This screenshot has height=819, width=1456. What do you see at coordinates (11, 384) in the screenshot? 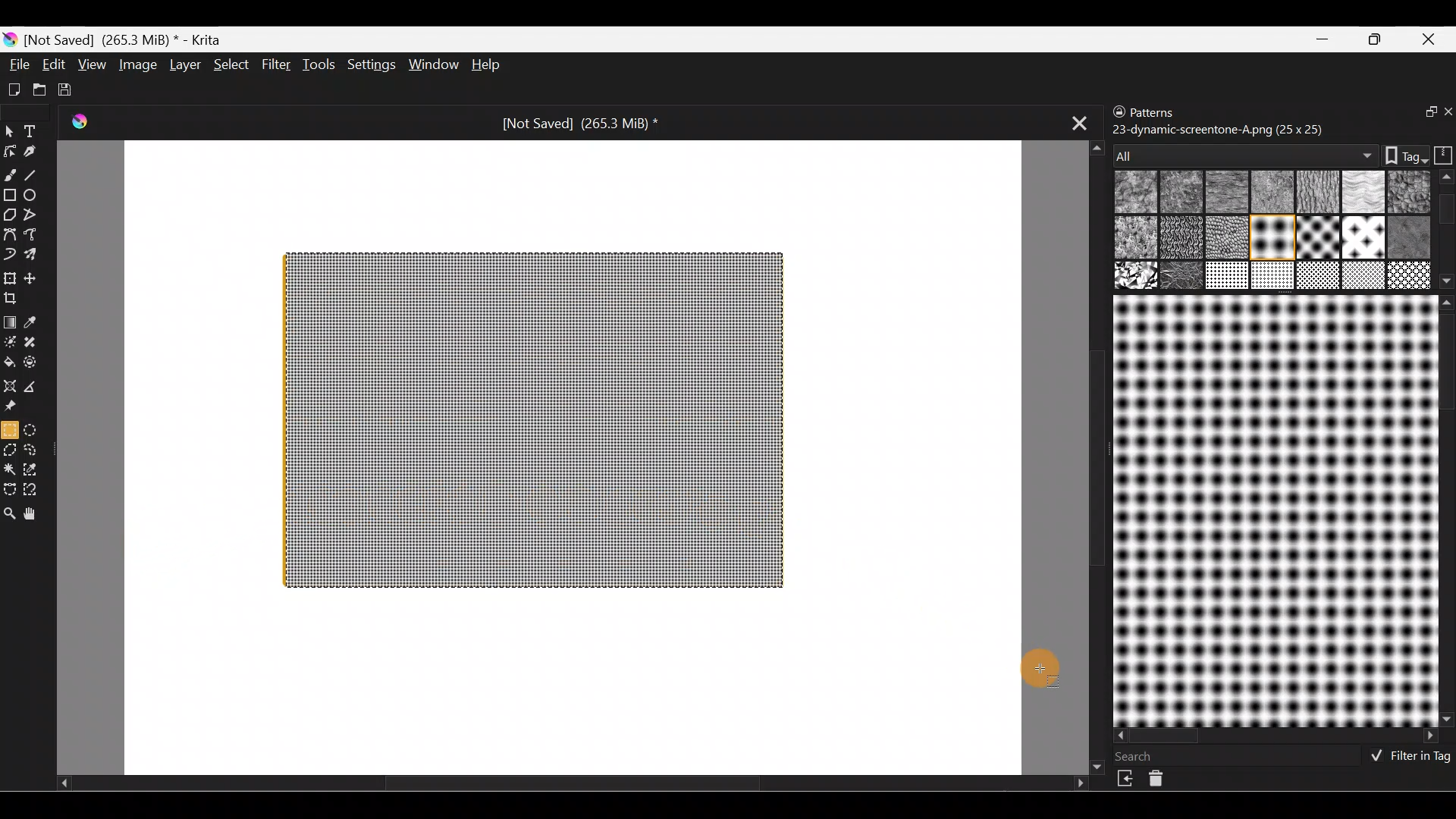
I see `Assistant tool` at bounding box center [11, 384].